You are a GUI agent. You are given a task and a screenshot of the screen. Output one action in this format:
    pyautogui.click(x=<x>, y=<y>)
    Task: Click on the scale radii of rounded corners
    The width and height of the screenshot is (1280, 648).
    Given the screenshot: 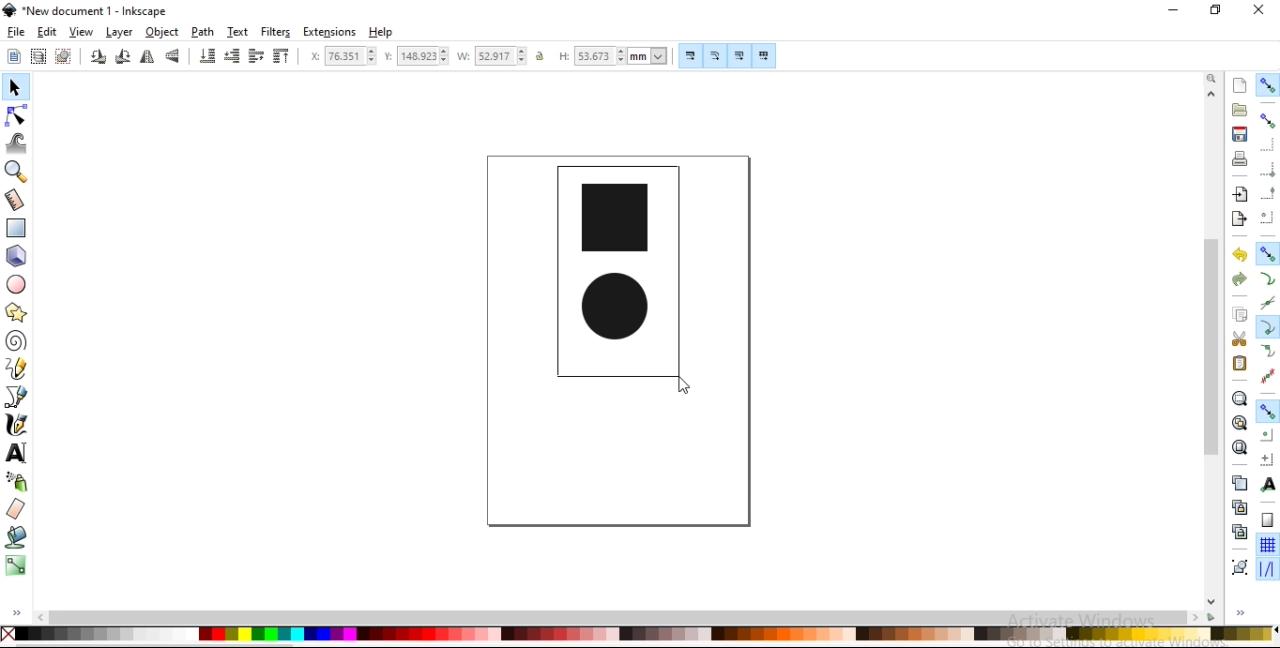 What is the action you would take?
    pyautogui.click(x=716, y=57)
    